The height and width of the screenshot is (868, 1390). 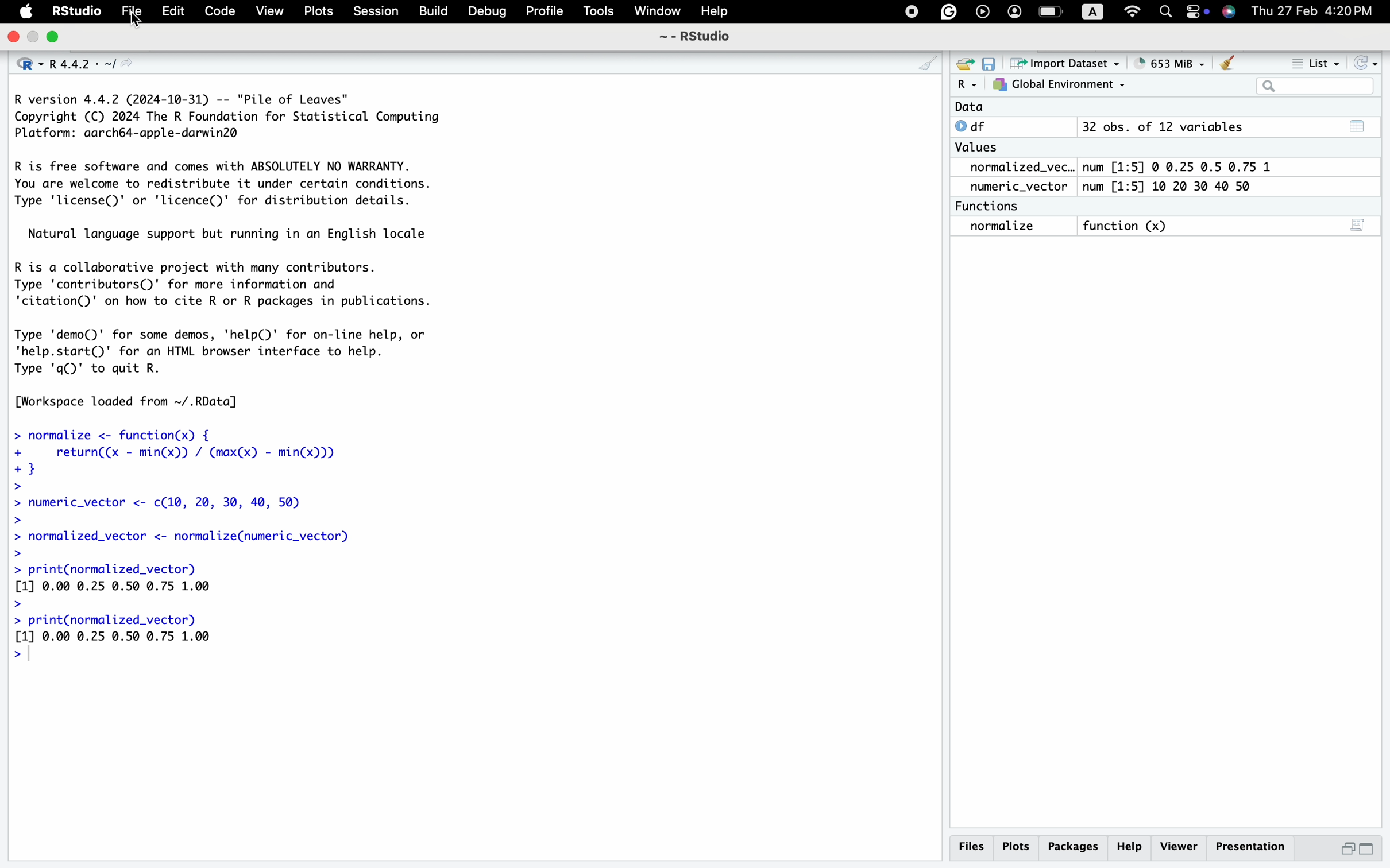 I want to click on Functions, so click(x=990, y=206).